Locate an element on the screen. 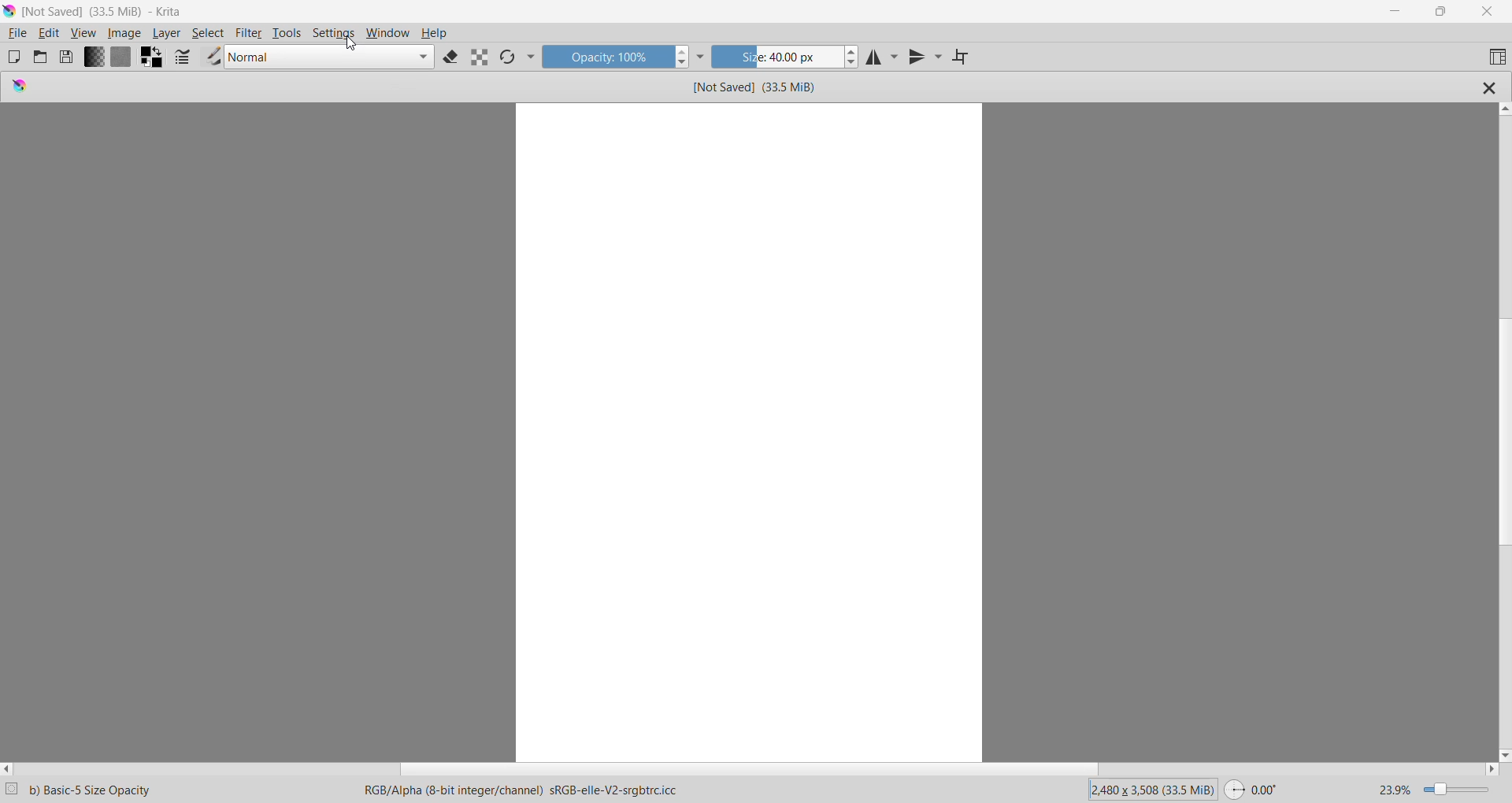  Fill Gradients is located at coordinates (94, 57).